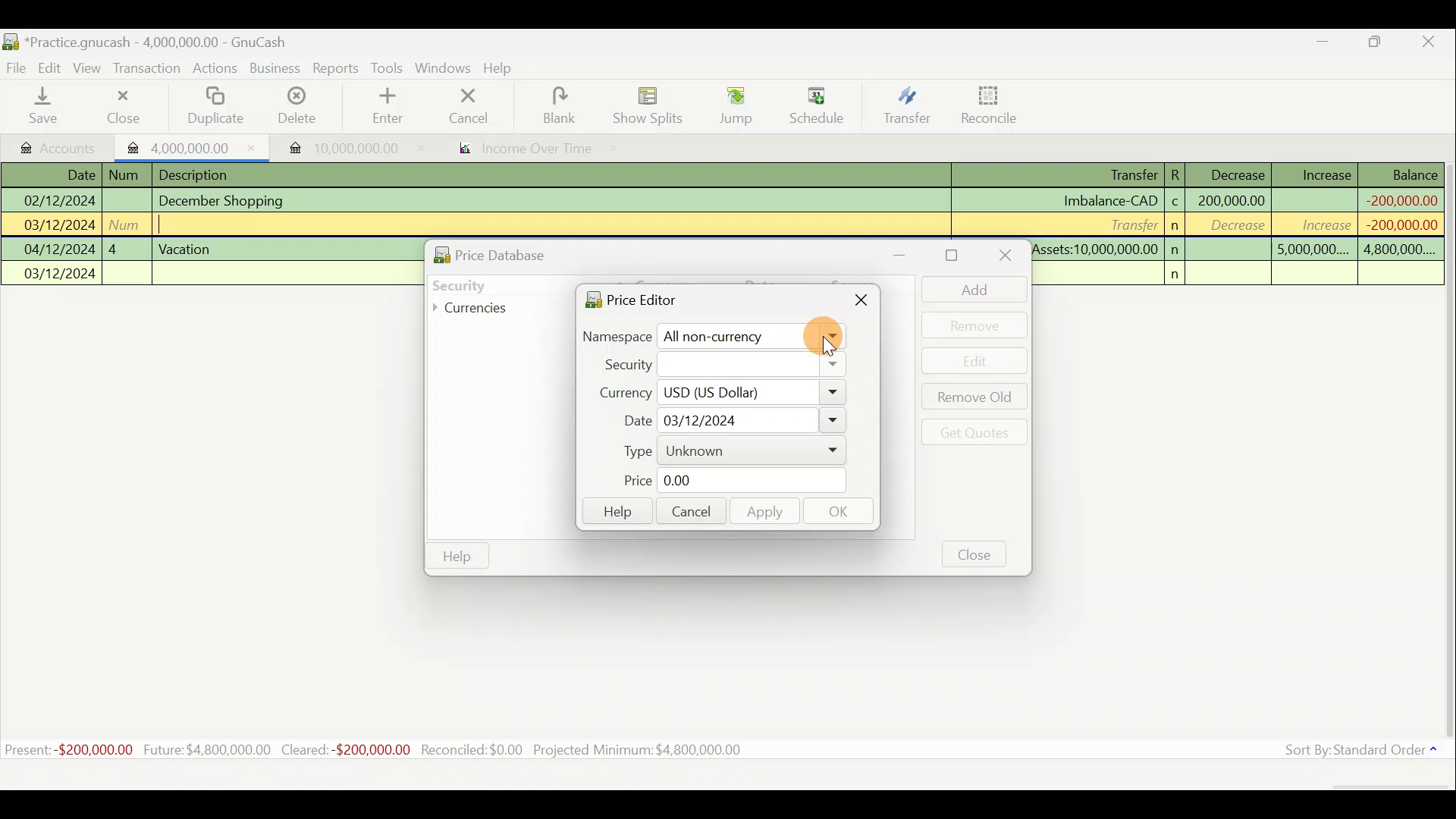 This screenshot has width=1456, height=819. Describe the element at coordinates (217, 69) in the screenshot. I see `Actions` at that location.